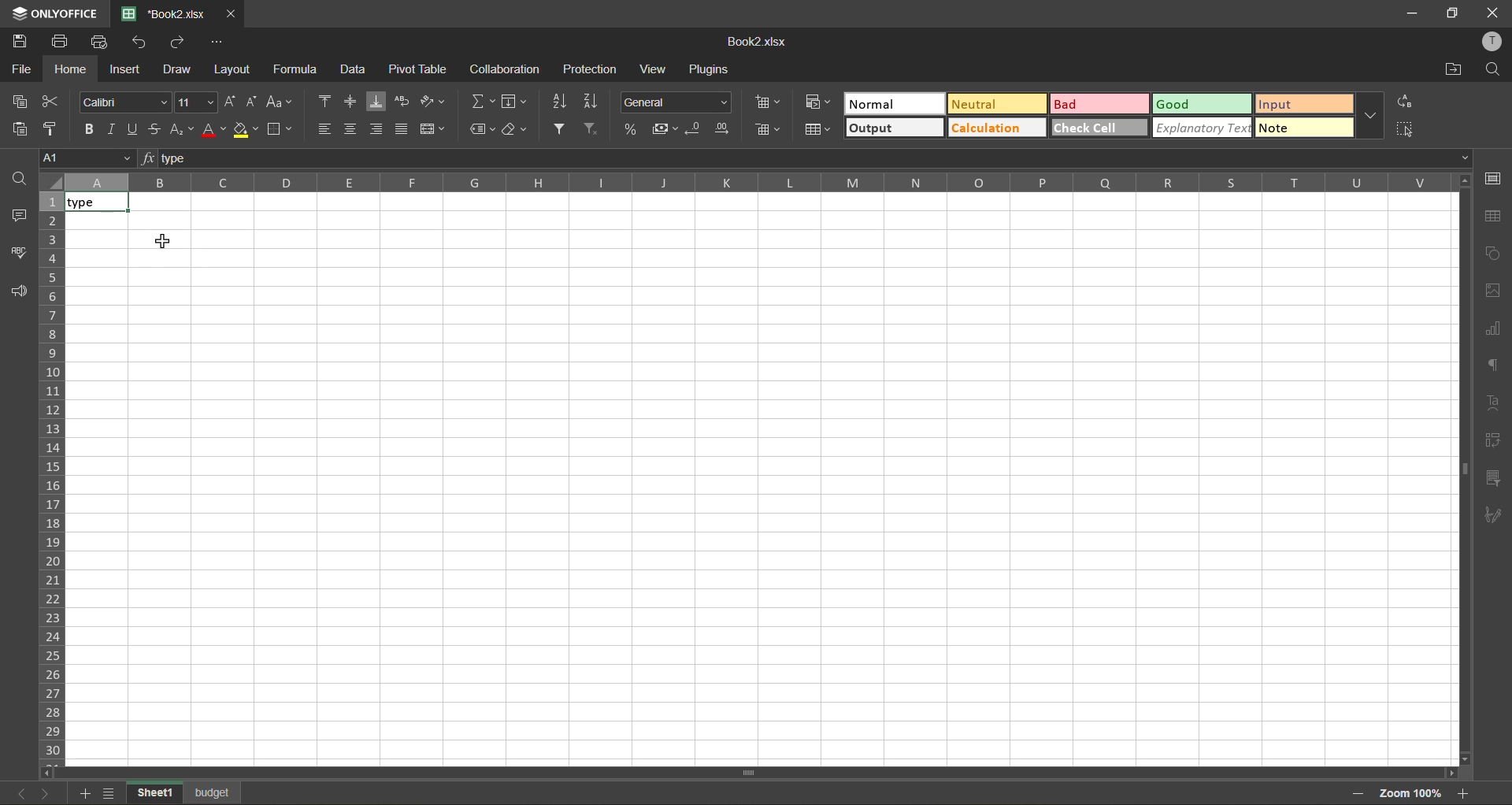 This screenshot has height=805, width=1512. I want to click on data, so click(354, 69).